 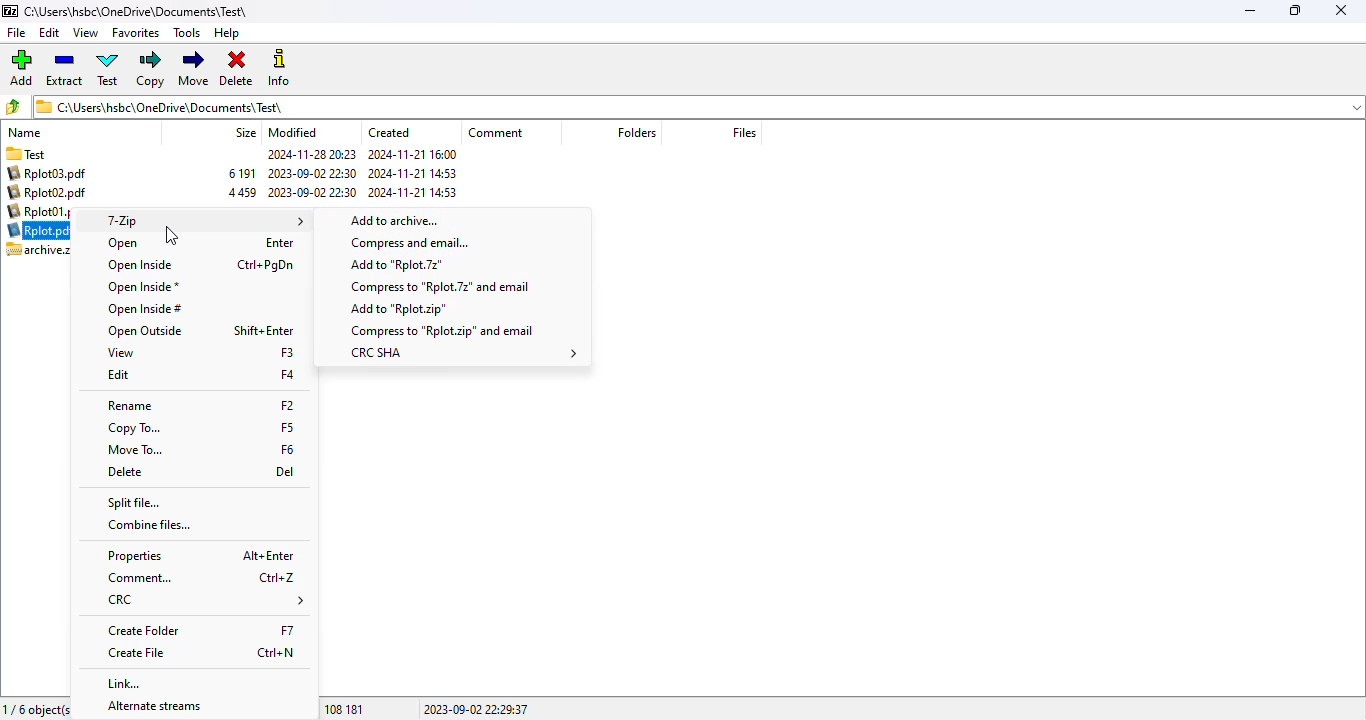 I want to click on tools, so click(x=188, y=33).